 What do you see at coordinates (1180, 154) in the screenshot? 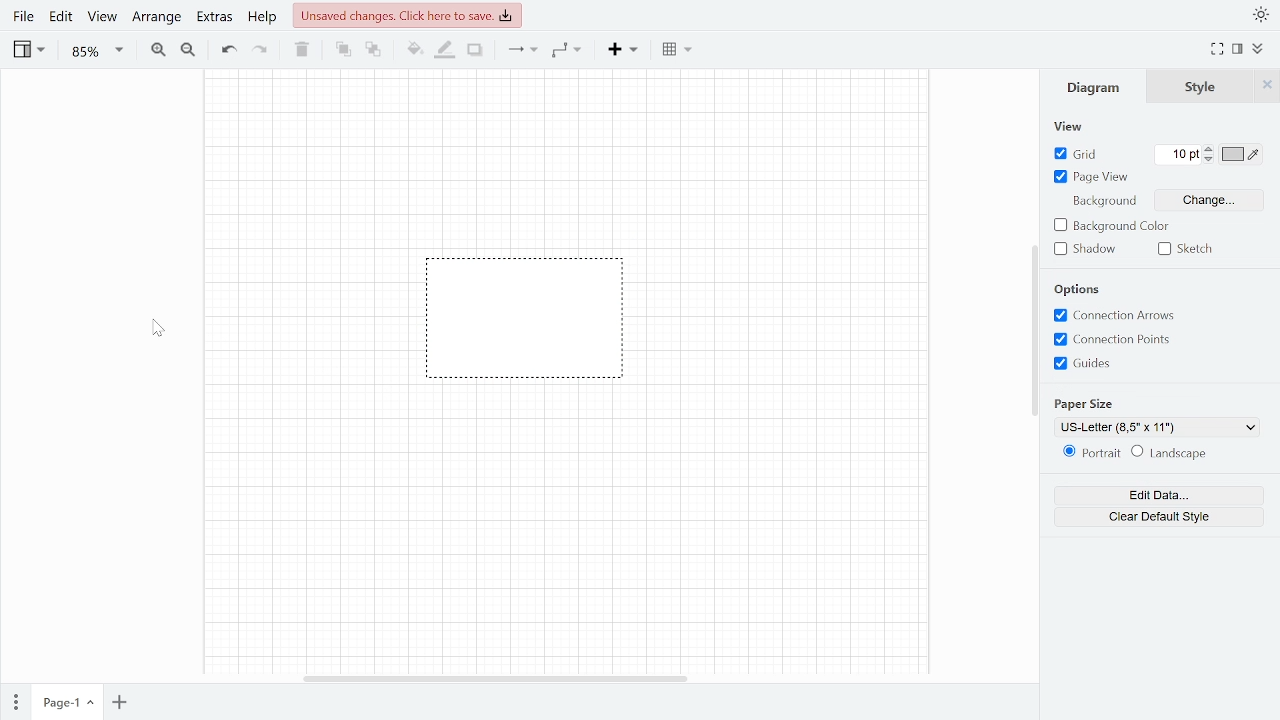
I see `Grid count` at bounding box center [1180, 154].